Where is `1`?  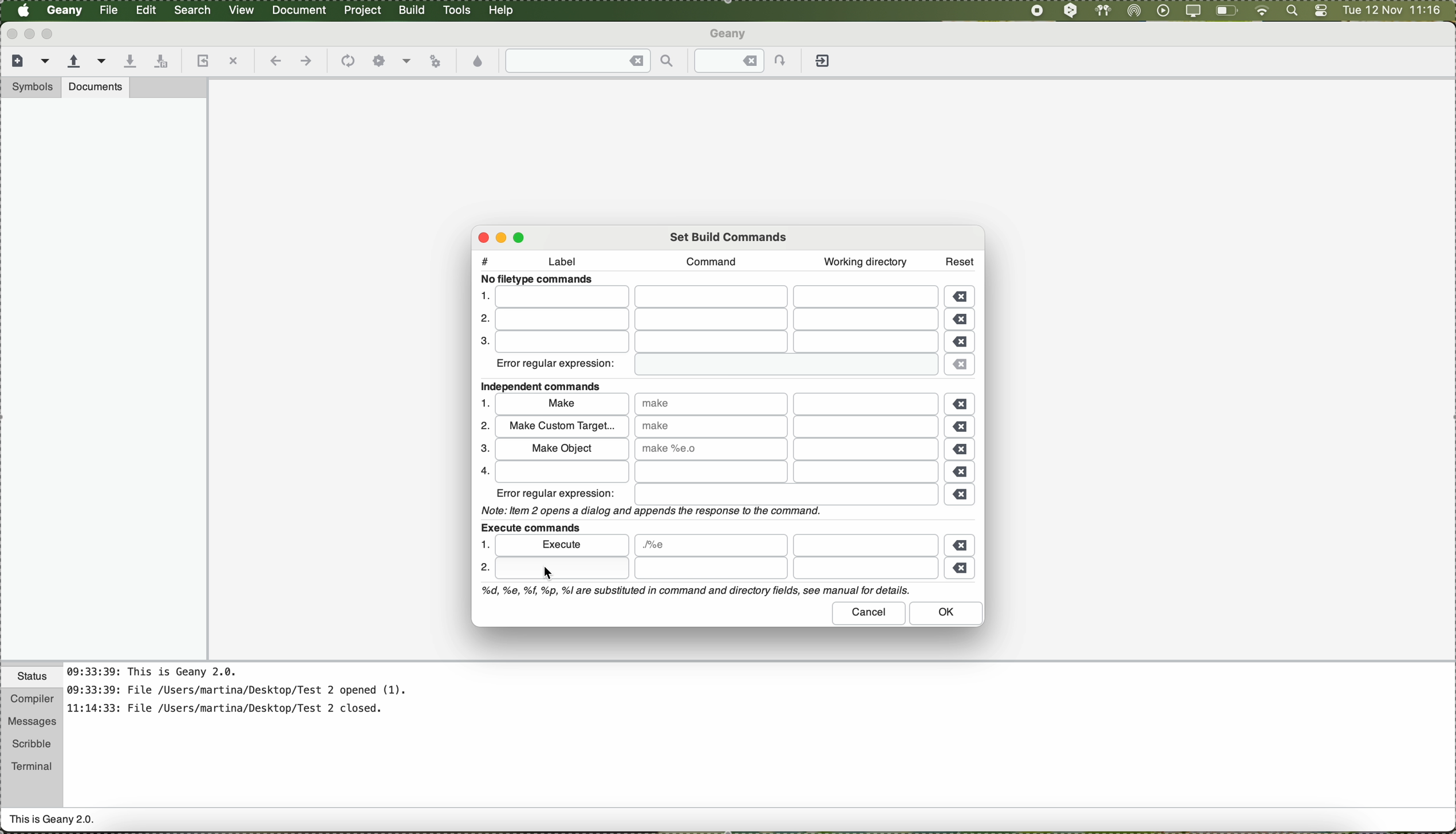 1 is located at coordinates (486, 403).